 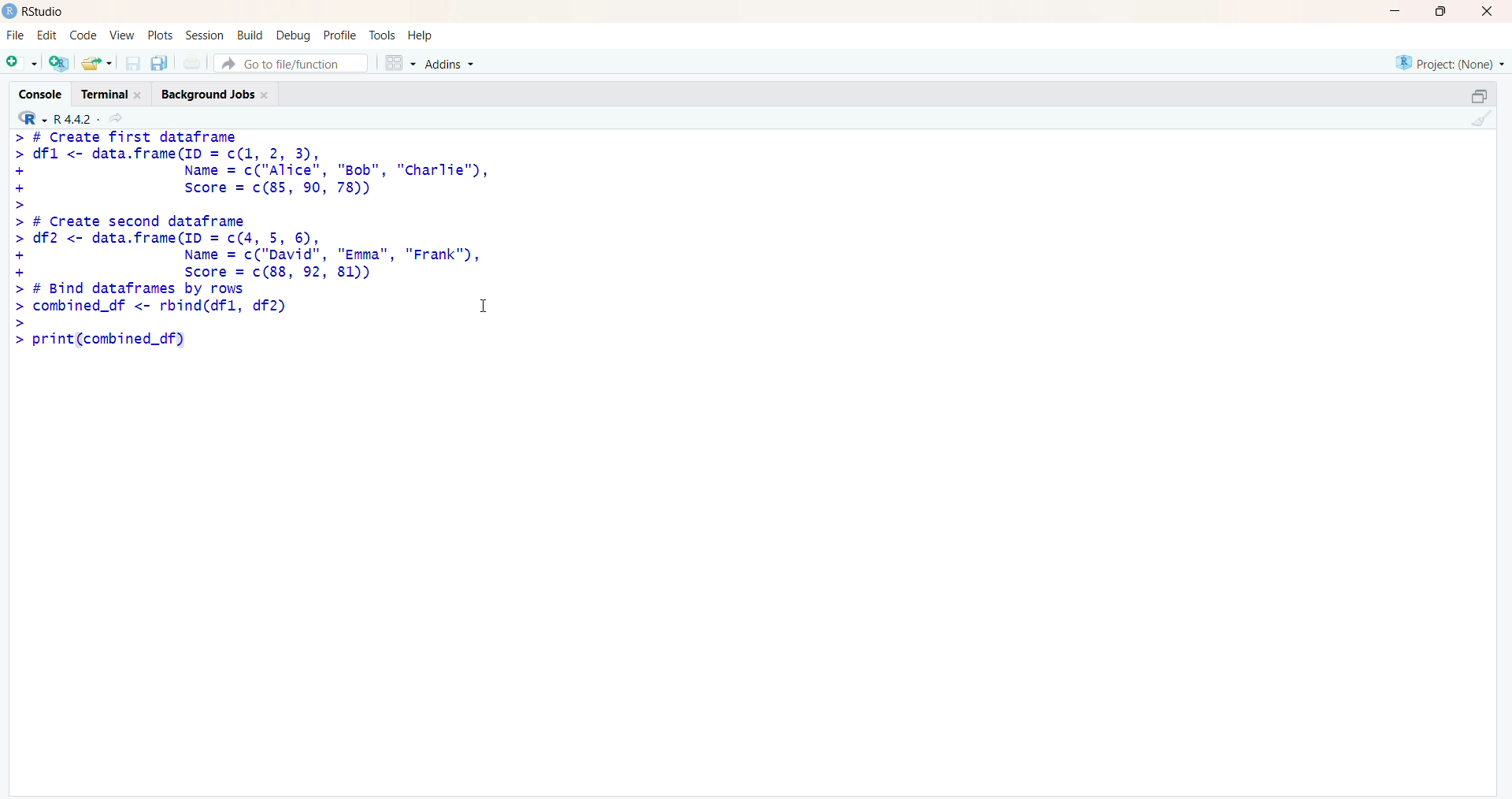 What do you see at coordinates (340, 35) in the screenshot?
I see `Profile` at bounding box center [340, 35].